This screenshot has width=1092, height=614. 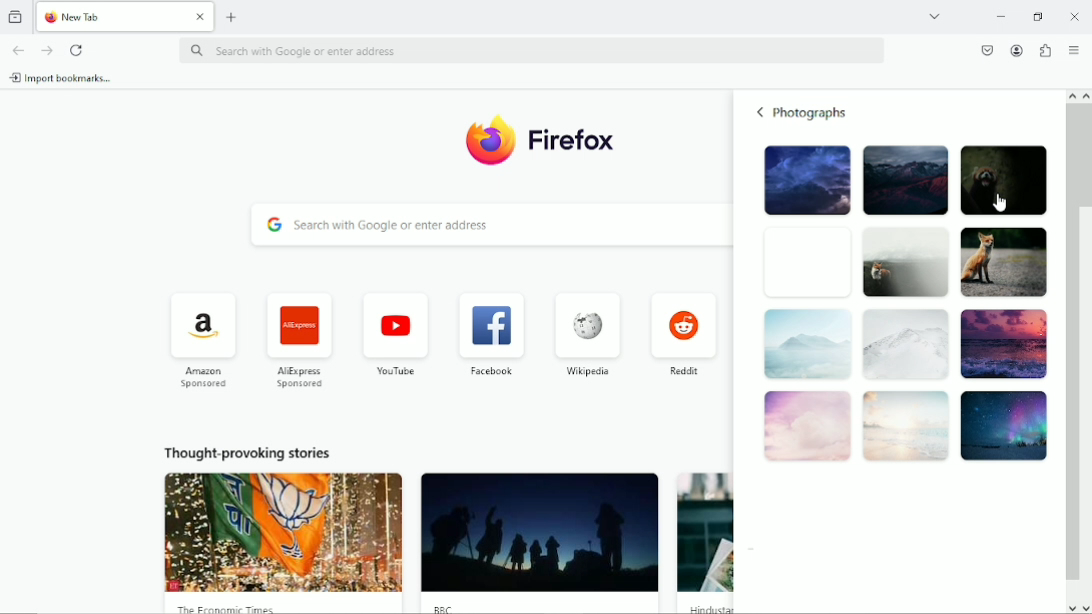 I want to click on Photograph, so click(x=906, y=427).